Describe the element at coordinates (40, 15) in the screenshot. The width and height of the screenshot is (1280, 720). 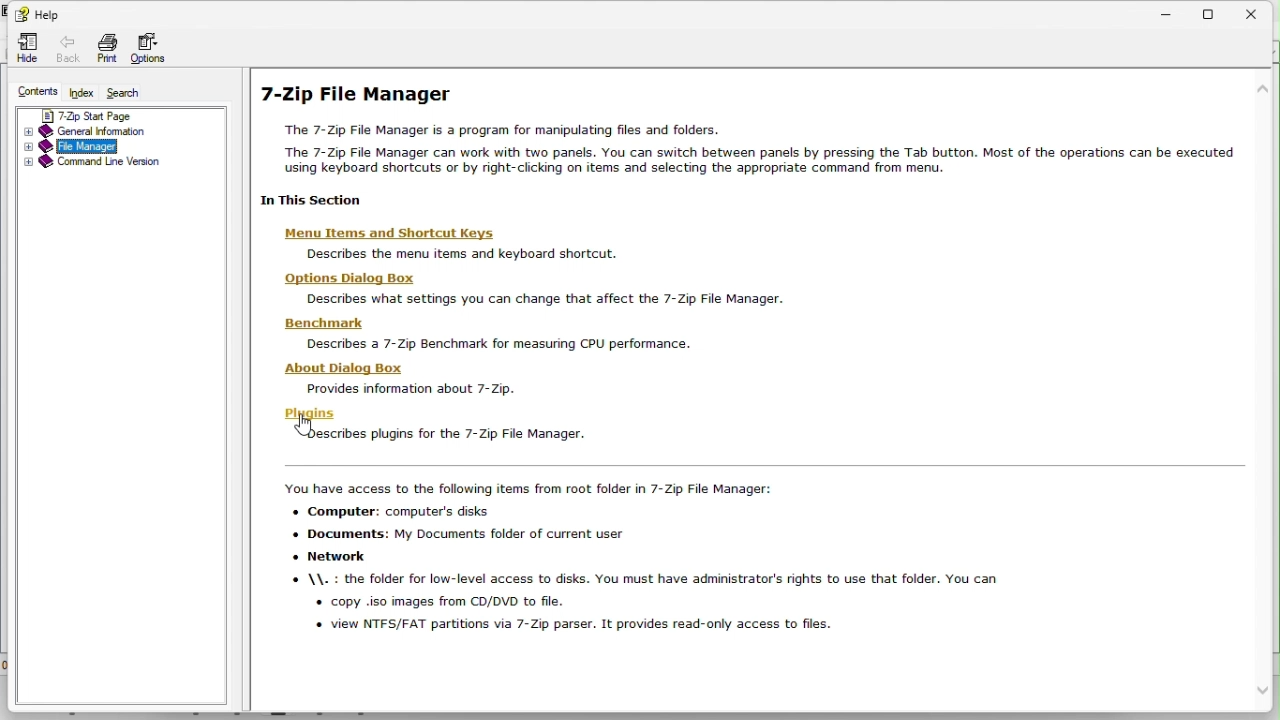
I see `Help` at that location.